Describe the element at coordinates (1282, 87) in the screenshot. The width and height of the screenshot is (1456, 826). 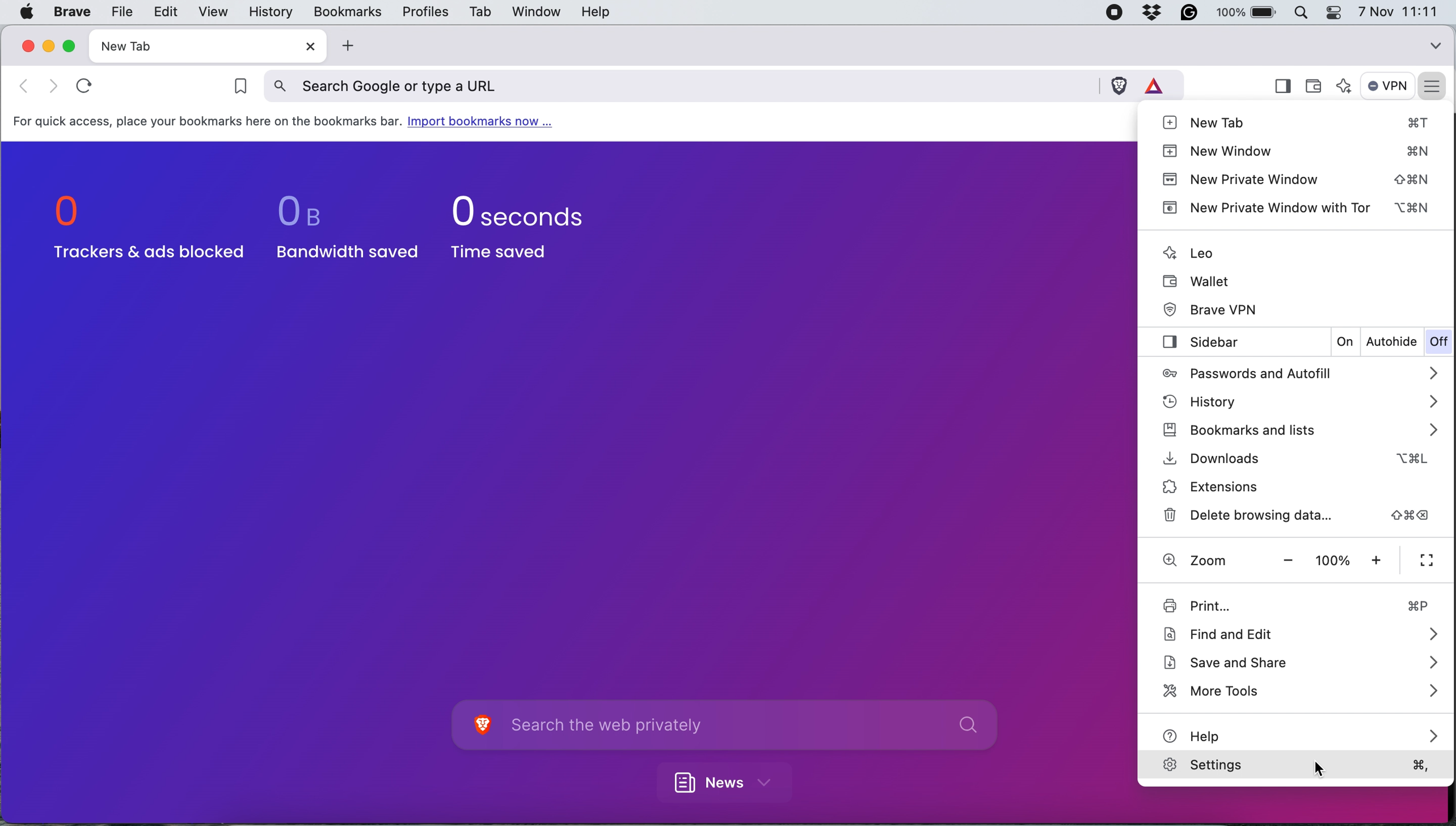
I see `show sidebar` at that location.